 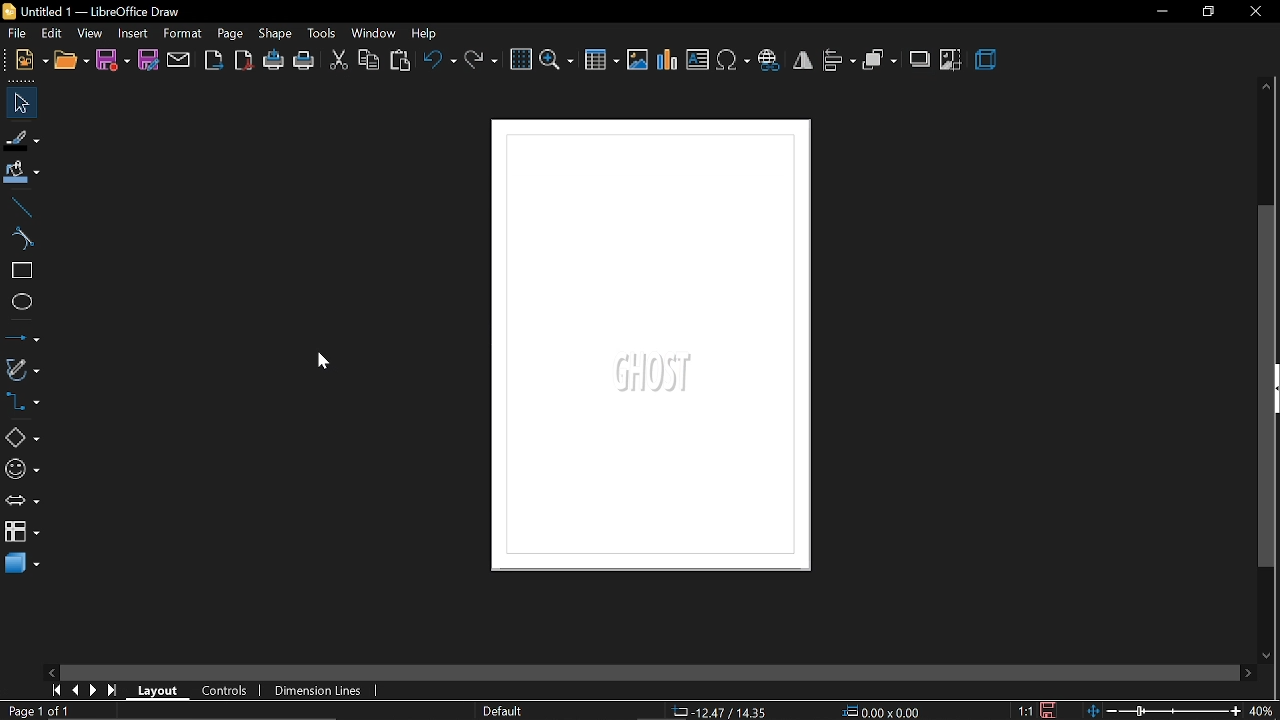 What do you see at coordinates (230, 34) in the screenshot?
I see `page` at bounding box center [230, 34].